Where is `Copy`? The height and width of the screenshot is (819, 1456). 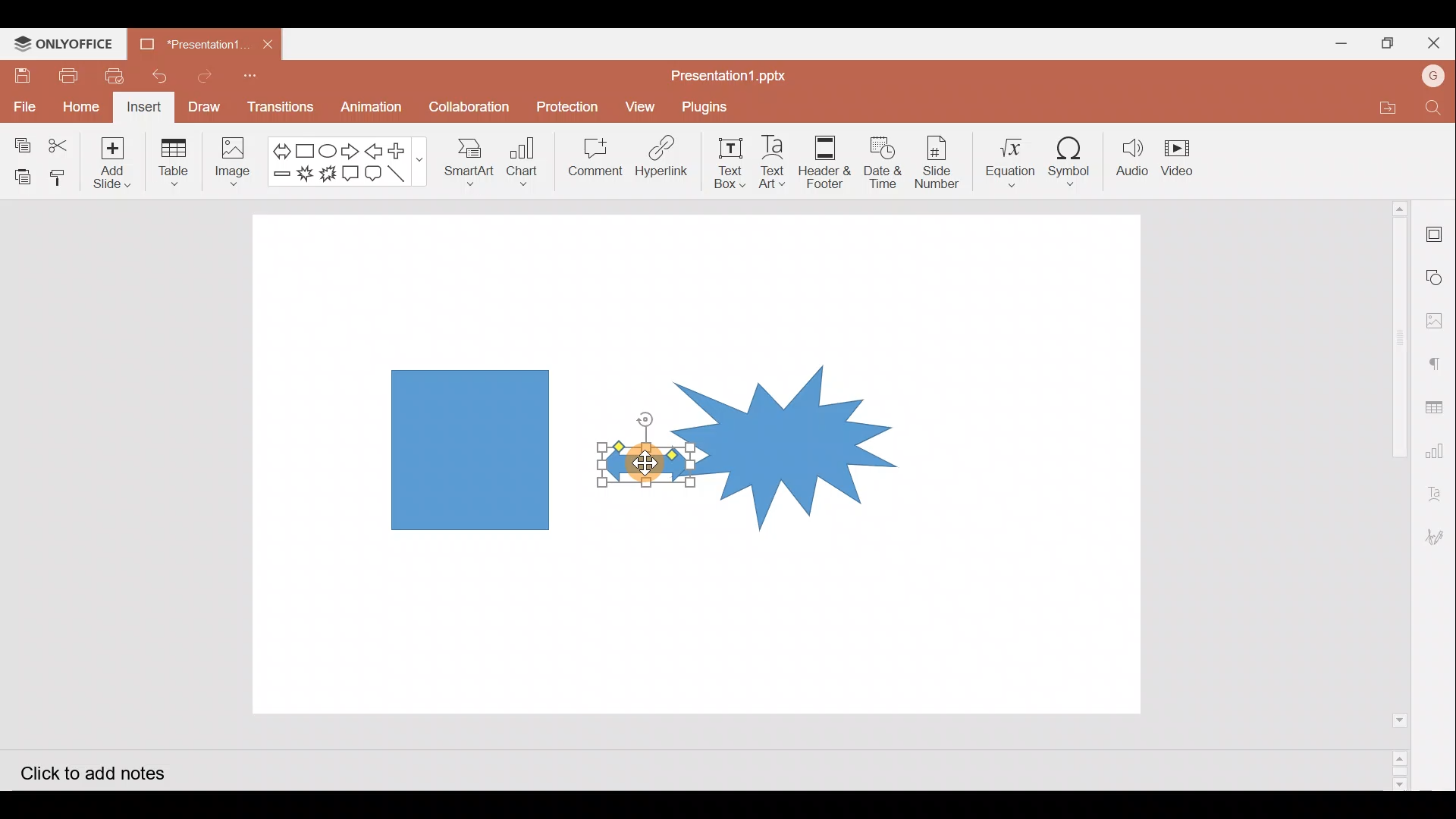 Copy is located at coordinates (19, 140).